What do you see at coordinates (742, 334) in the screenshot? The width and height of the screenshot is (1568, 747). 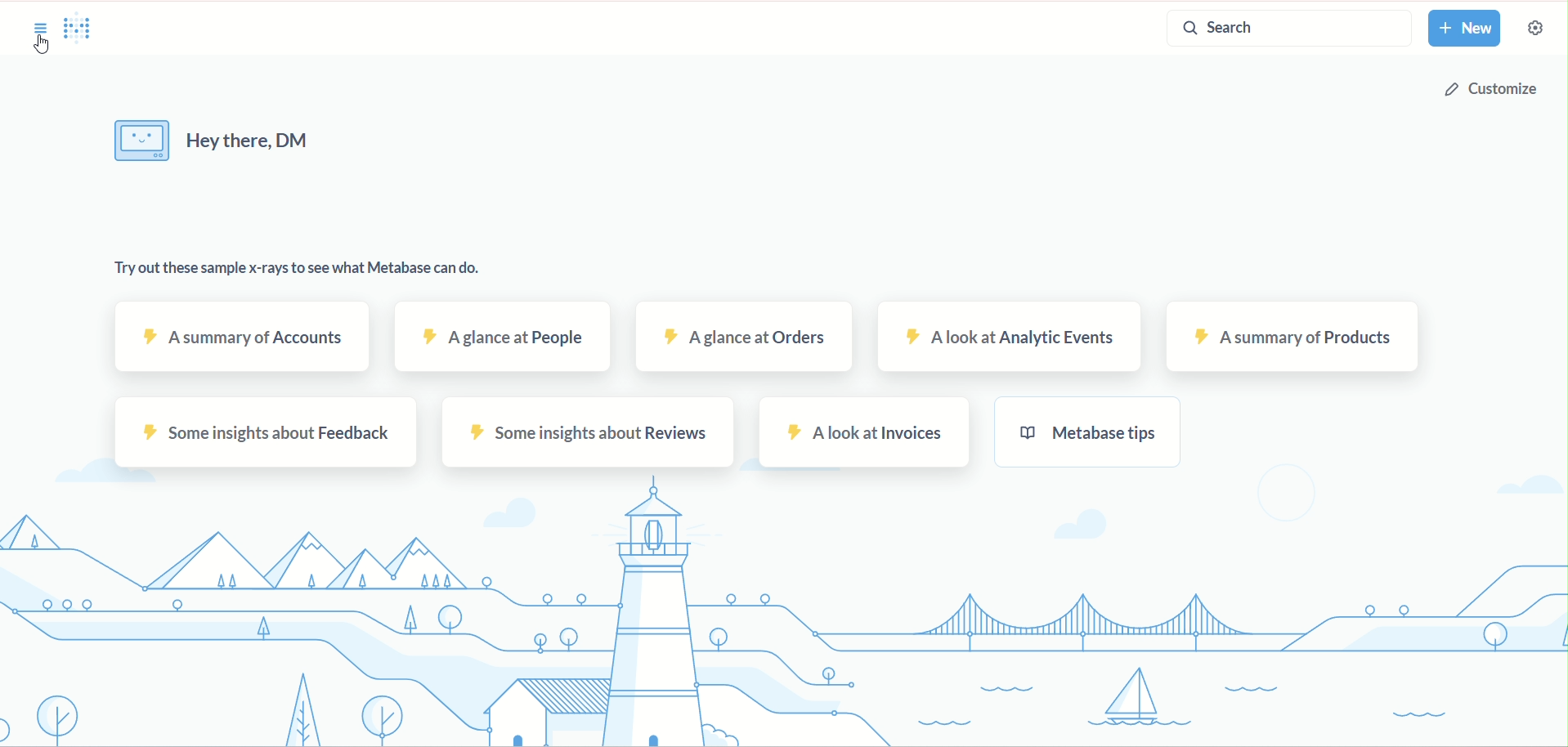 I see `A glance at orders` at bounding box center [742, 334].